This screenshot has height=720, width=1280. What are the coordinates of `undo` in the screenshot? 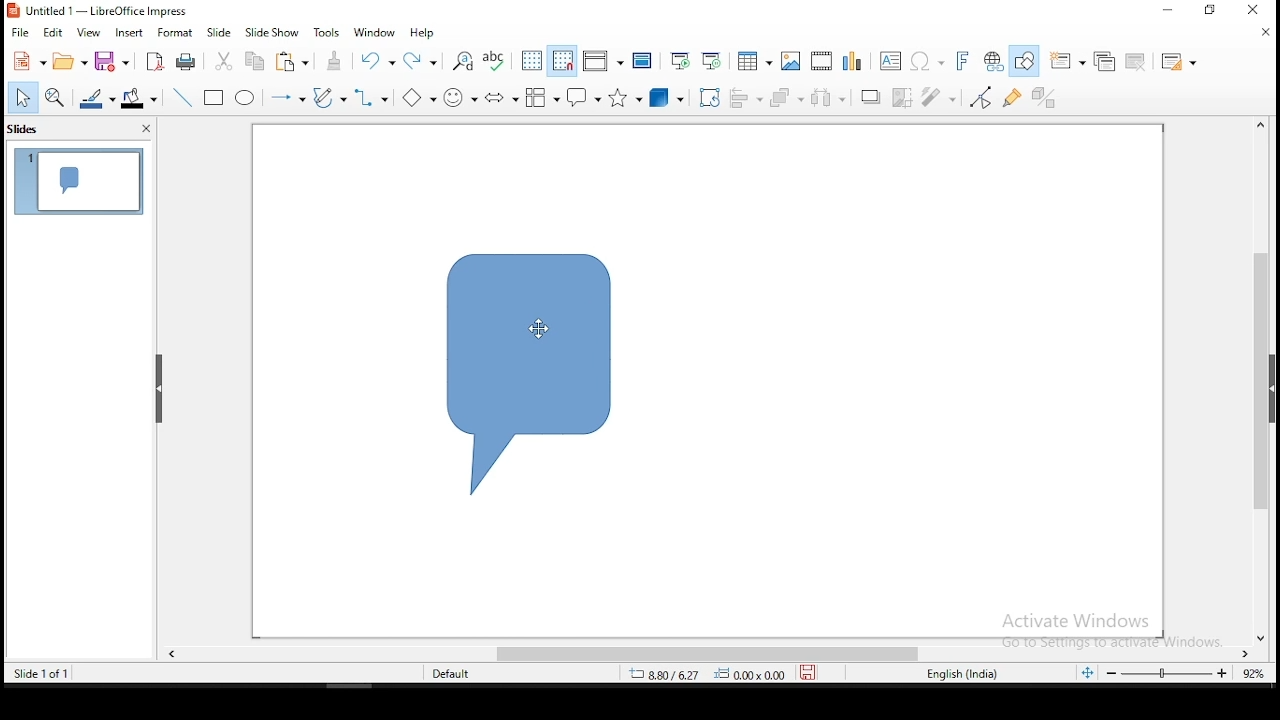 It's located at (377, 61).